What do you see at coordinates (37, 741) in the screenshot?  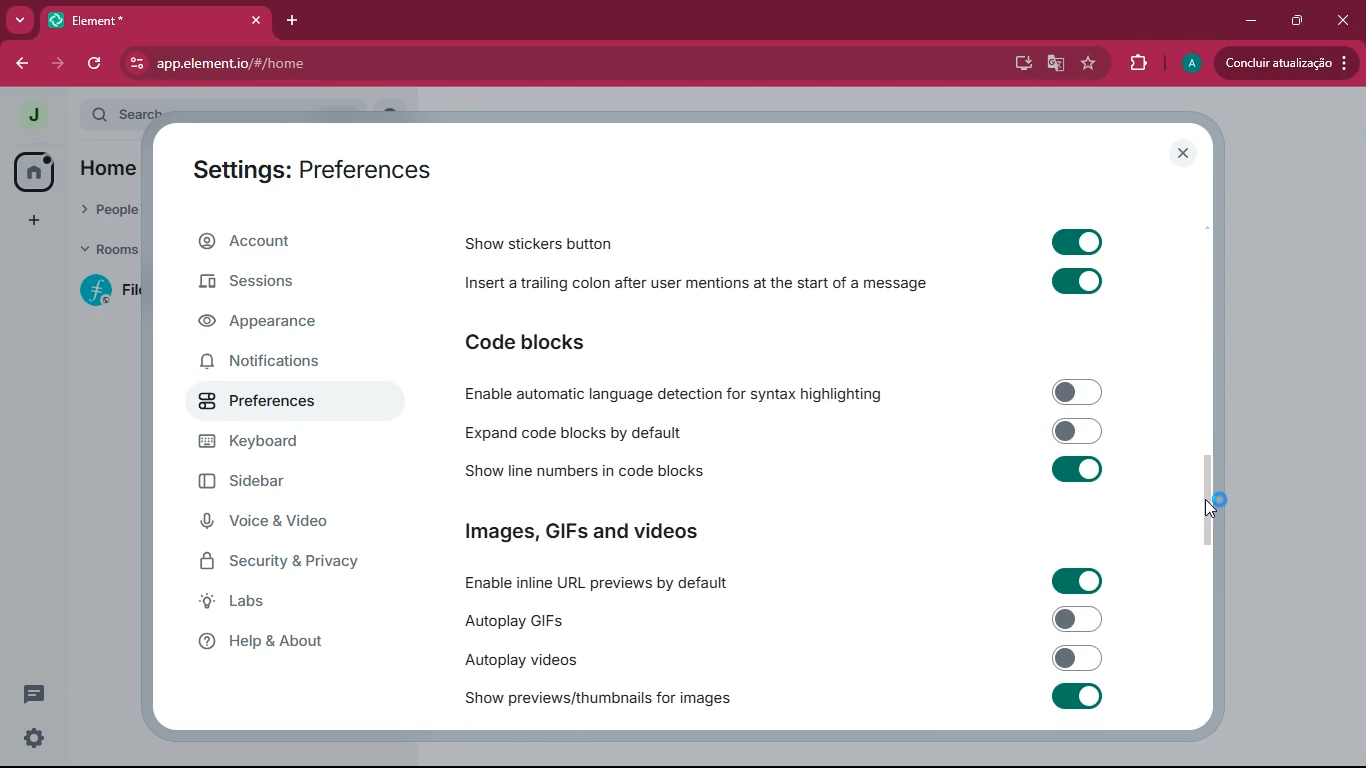 I see `Settings` at bounding box center [37, 741].